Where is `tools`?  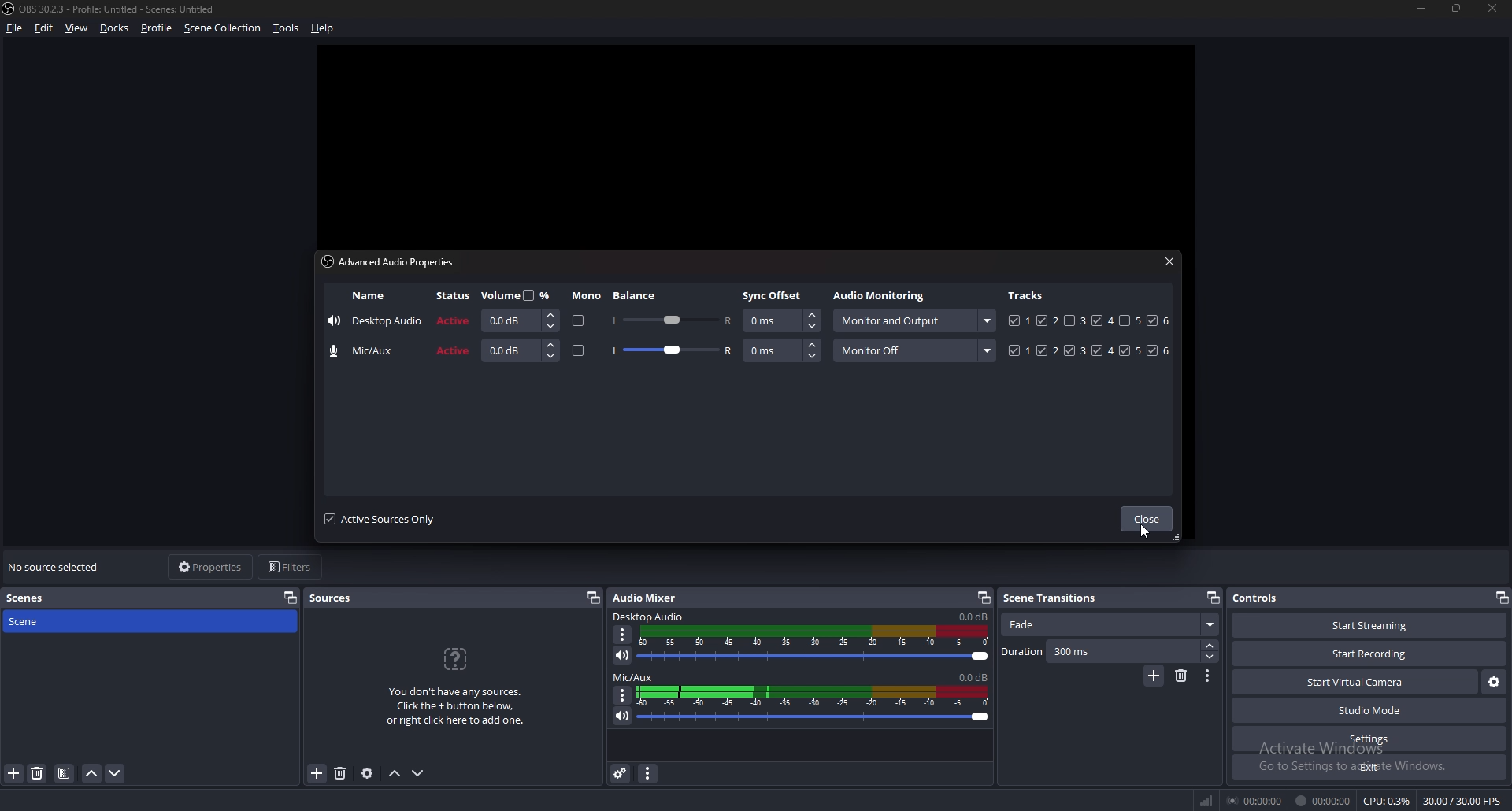 tools is located at coordinates (285, 29).